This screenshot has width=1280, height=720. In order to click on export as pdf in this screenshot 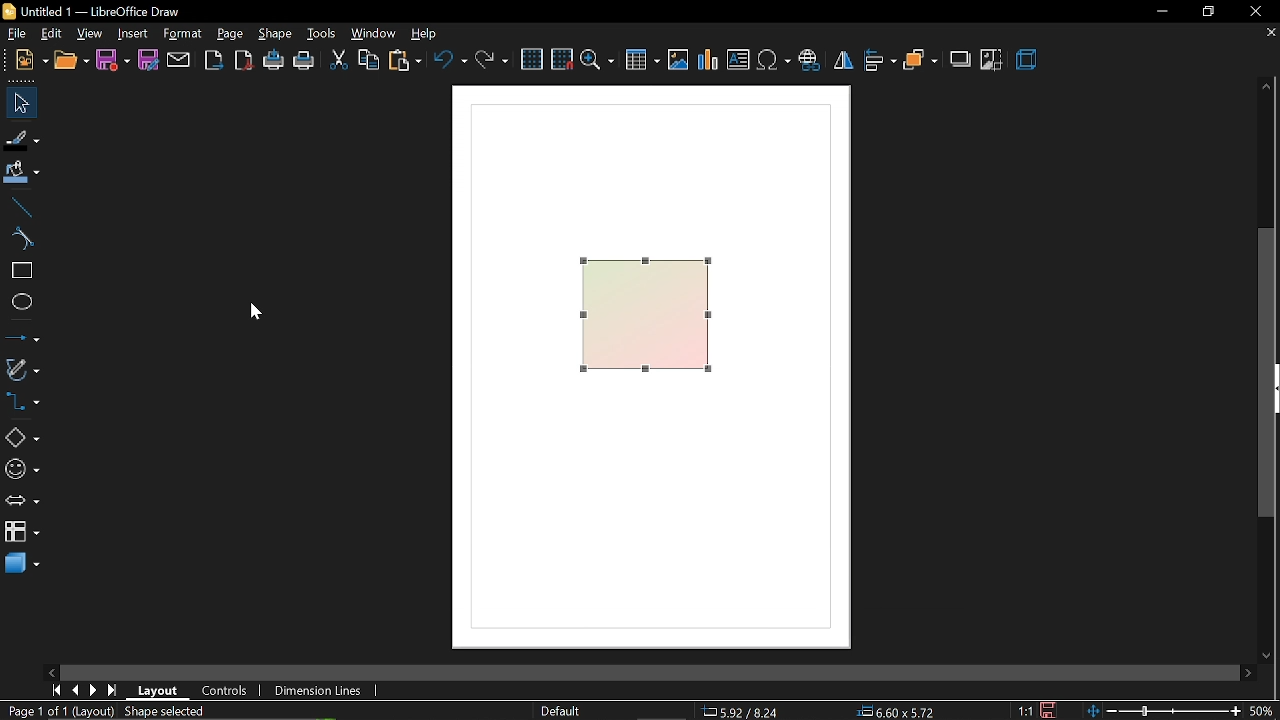, I will do `click(245, 61)`.